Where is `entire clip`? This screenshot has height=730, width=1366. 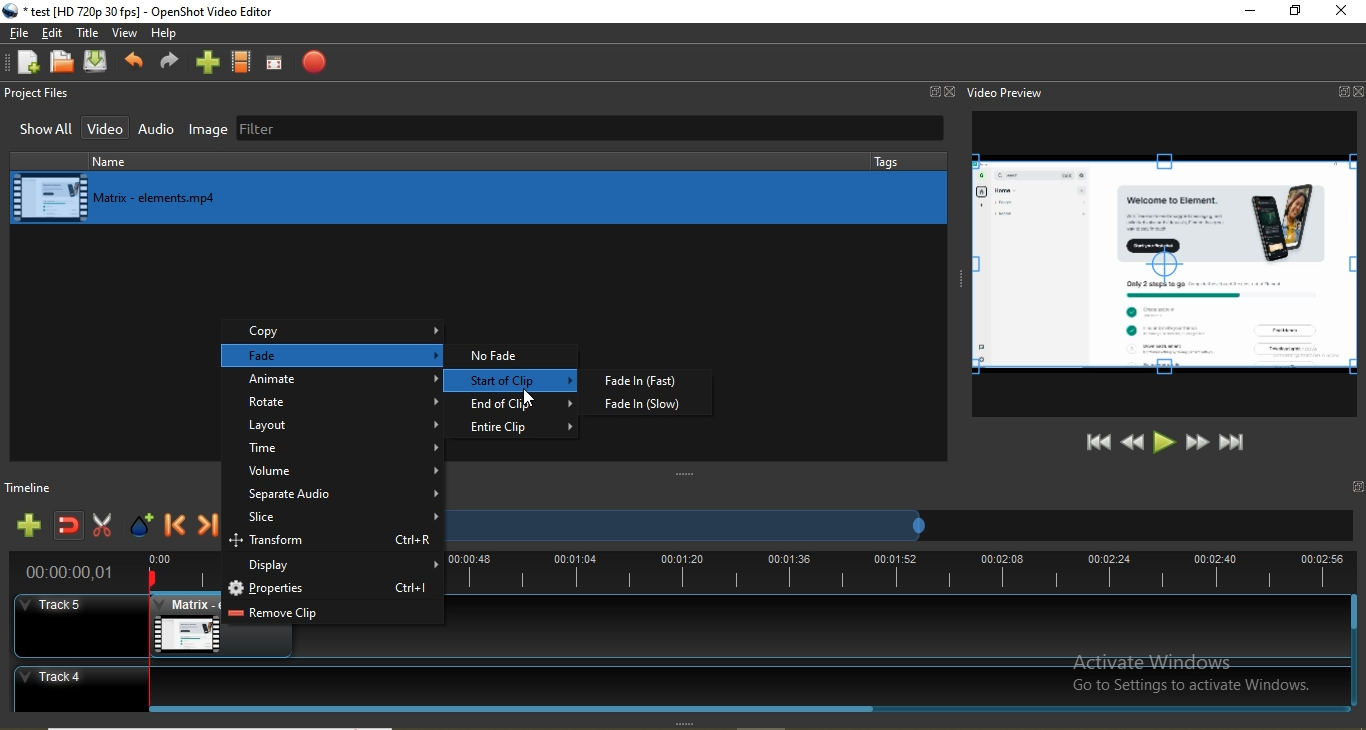
entire clip is located at coordinates (522, 426).